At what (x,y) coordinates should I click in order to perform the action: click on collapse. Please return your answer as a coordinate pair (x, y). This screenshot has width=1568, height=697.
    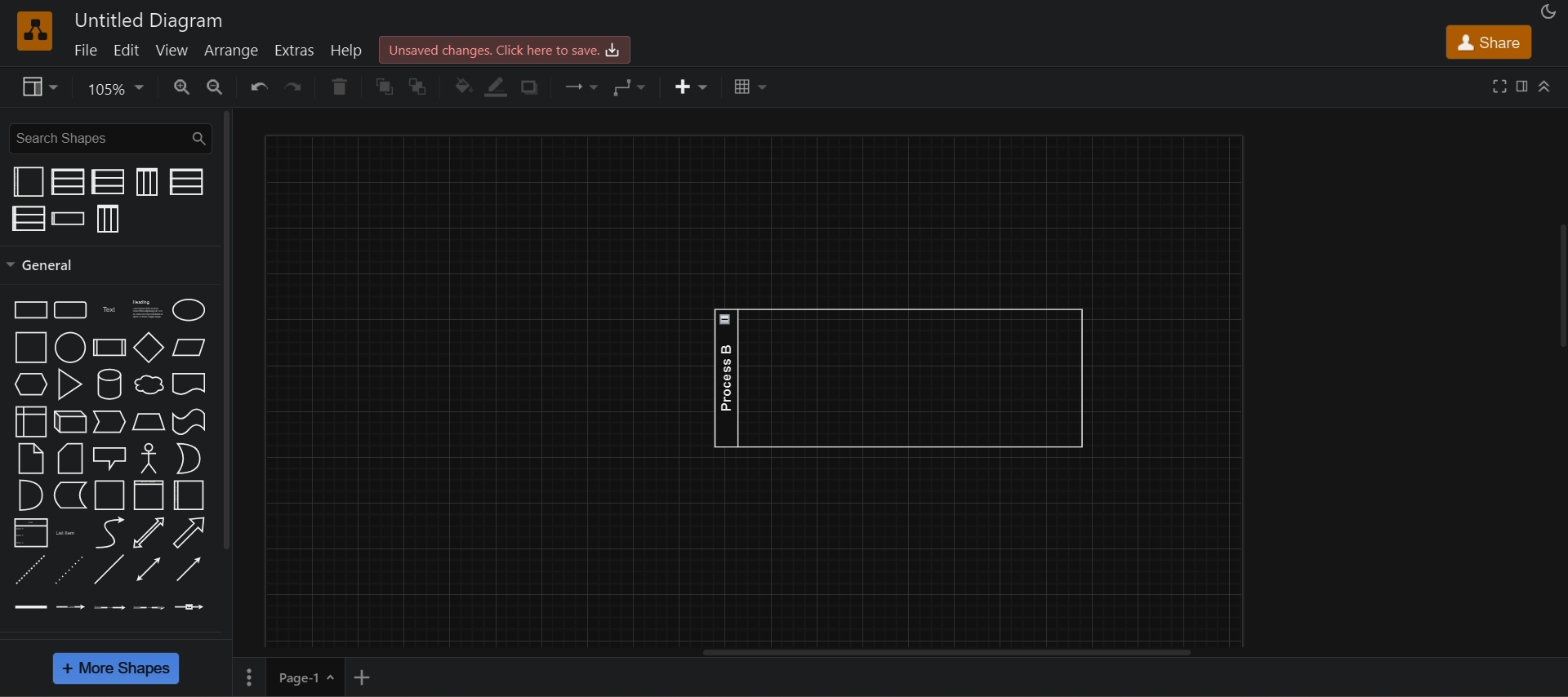
    Looking at the image, I should click on (1557, 290).